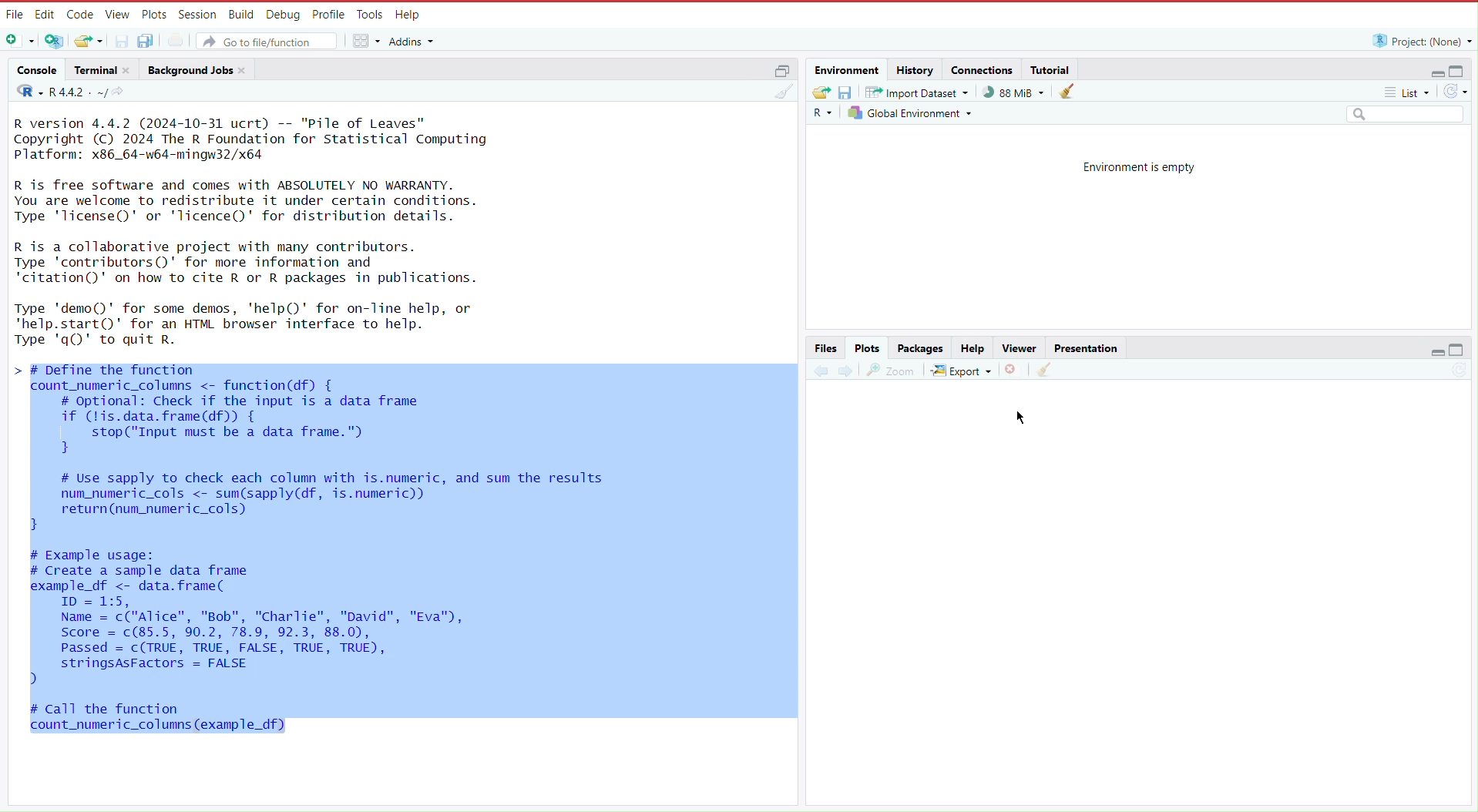  Describe the element at coordinates (845, 368) in the screenshot. I see `Go forward to the next source location (Ctrl + F10)` at that location.